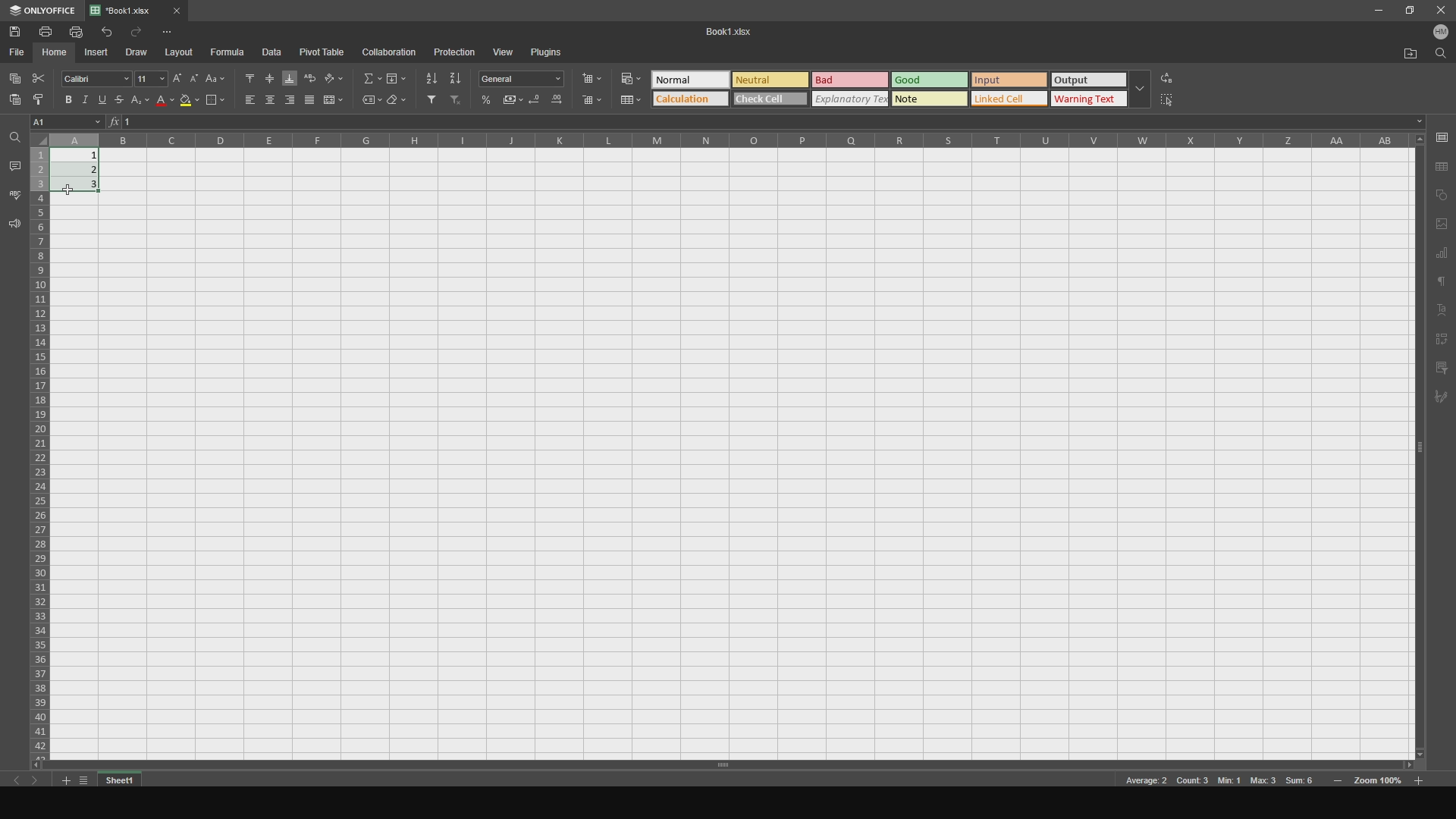  I want to click on insert, so click(100, 53).